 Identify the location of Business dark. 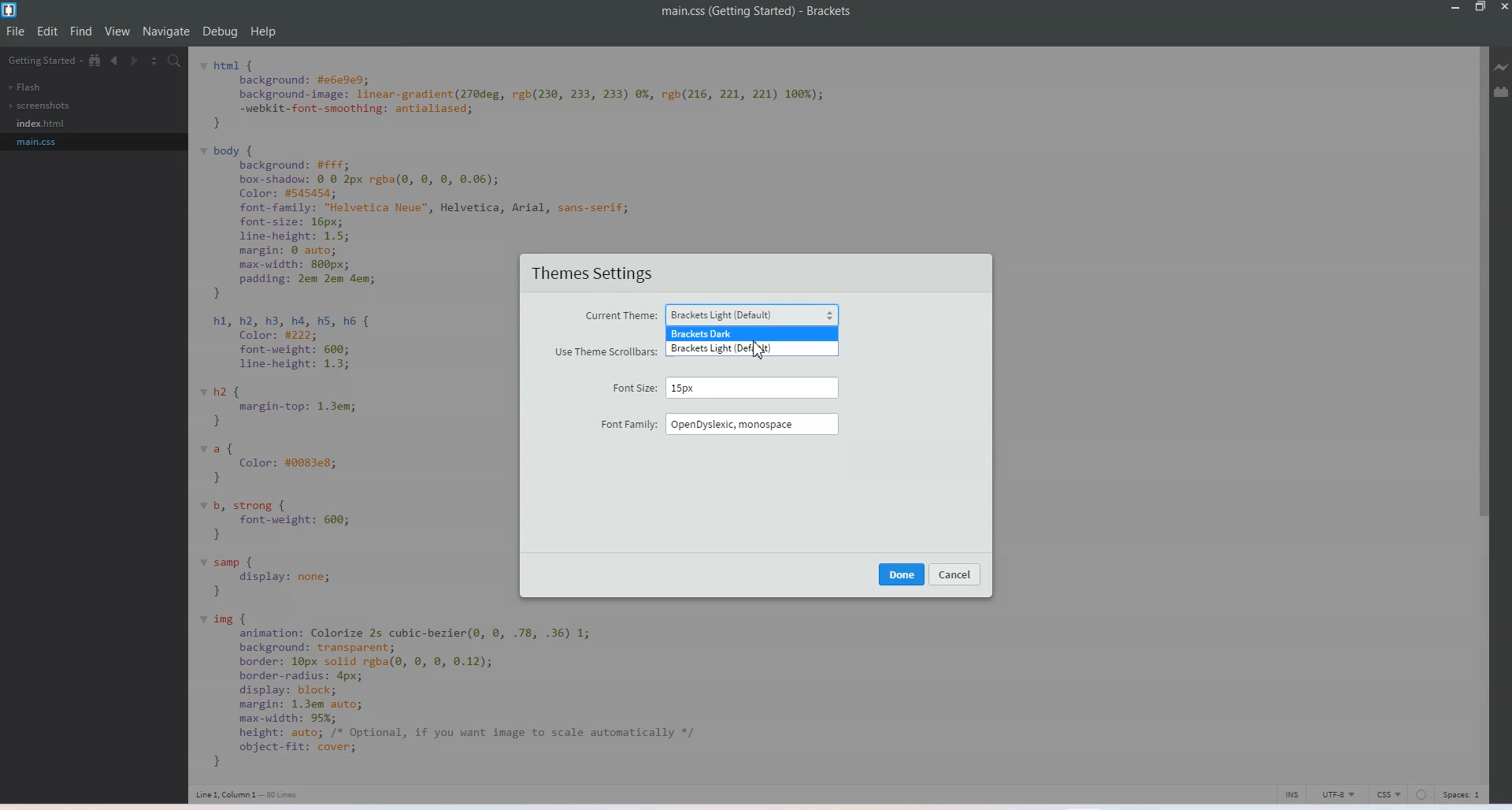
(751, 333).